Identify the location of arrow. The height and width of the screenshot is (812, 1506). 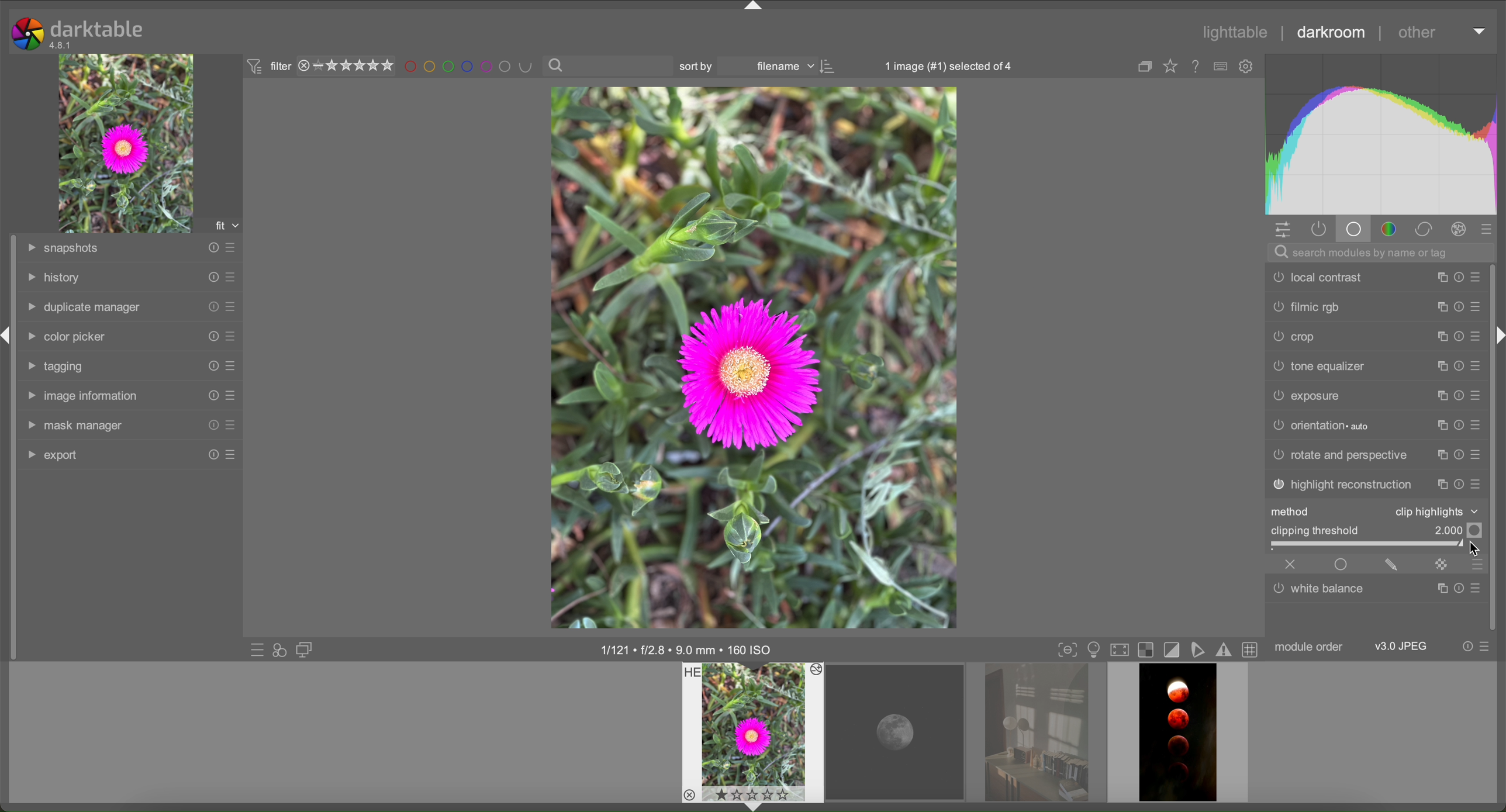
(1479, 30).